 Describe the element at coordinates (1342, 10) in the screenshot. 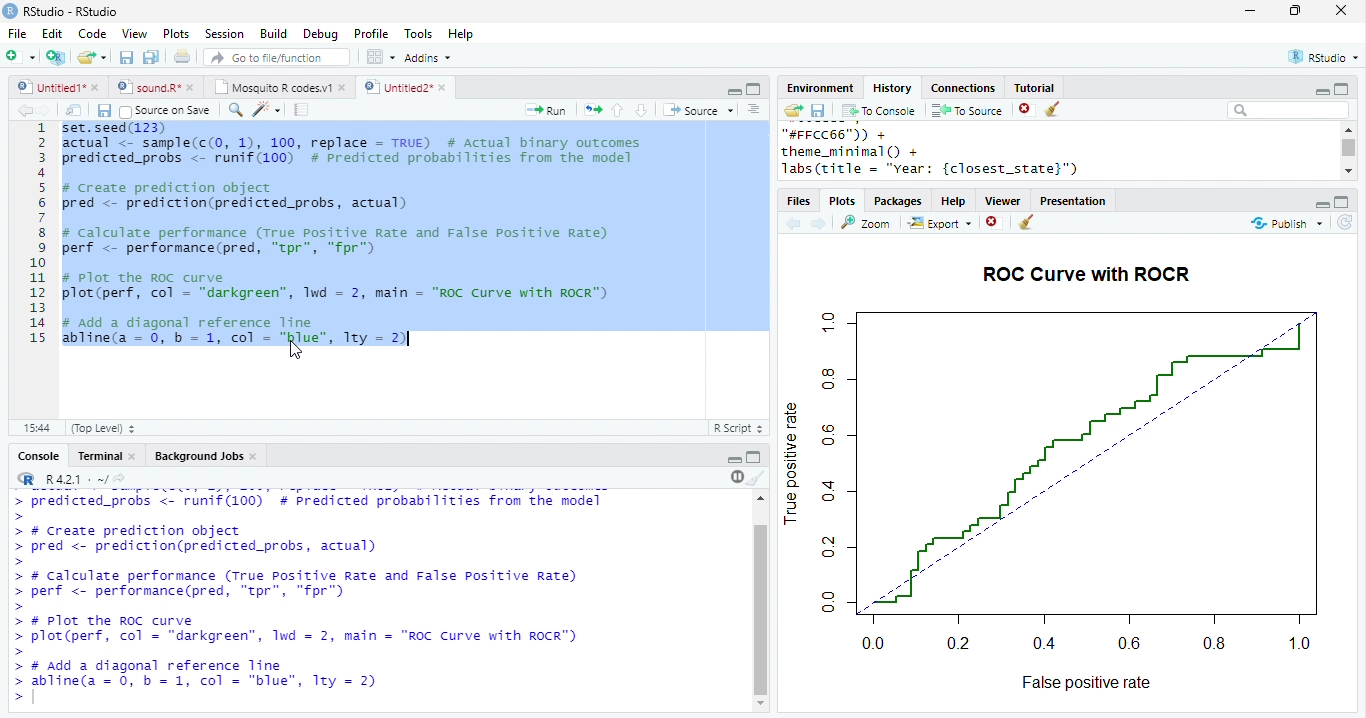

I see `close` at that location.